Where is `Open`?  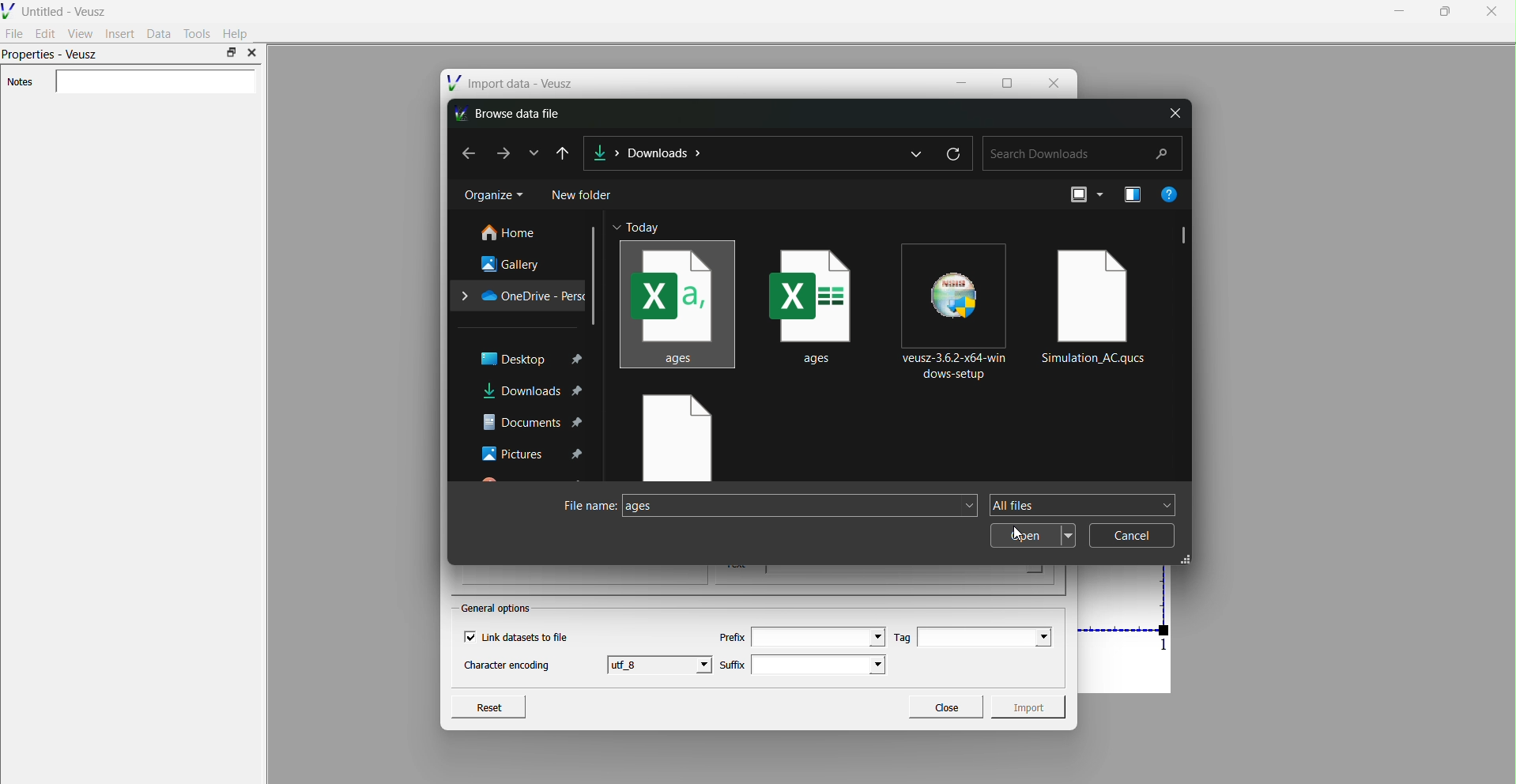 Open is located at coordinates (1033, 536).